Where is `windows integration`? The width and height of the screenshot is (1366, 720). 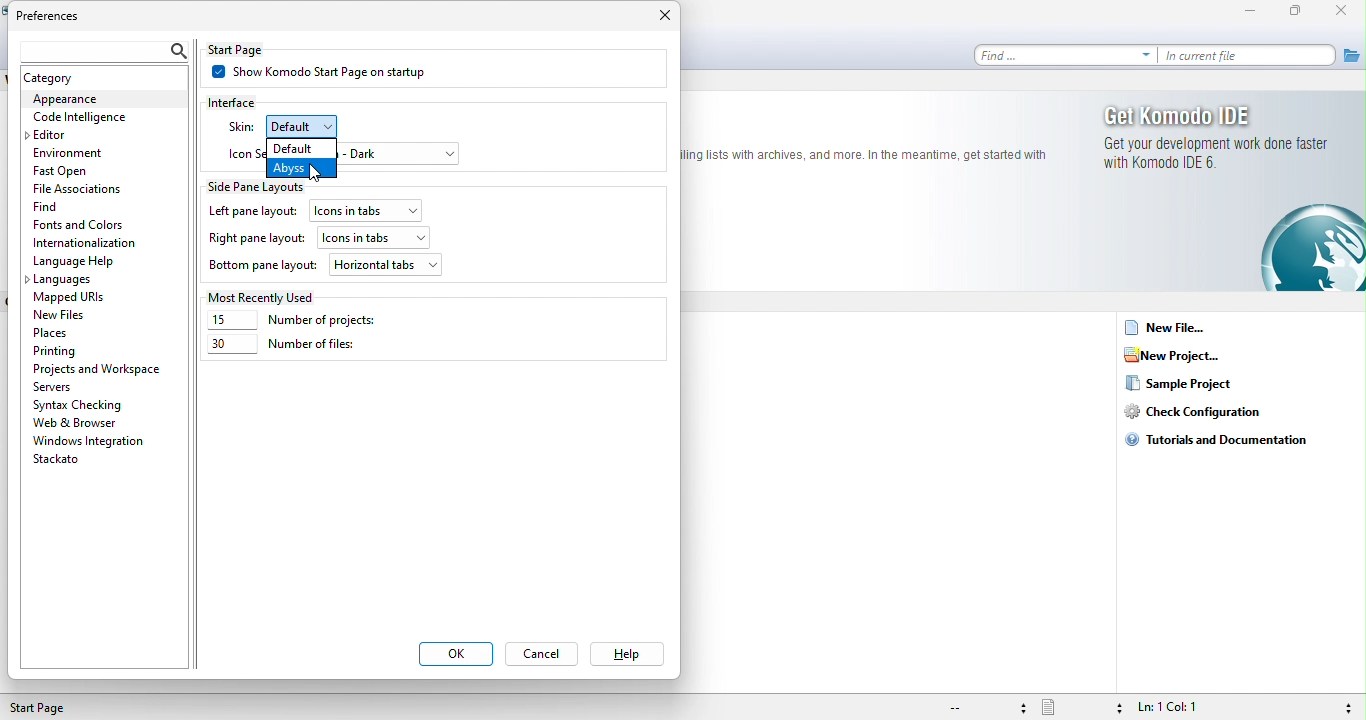 windows integration is located at coordinates (89, 441).